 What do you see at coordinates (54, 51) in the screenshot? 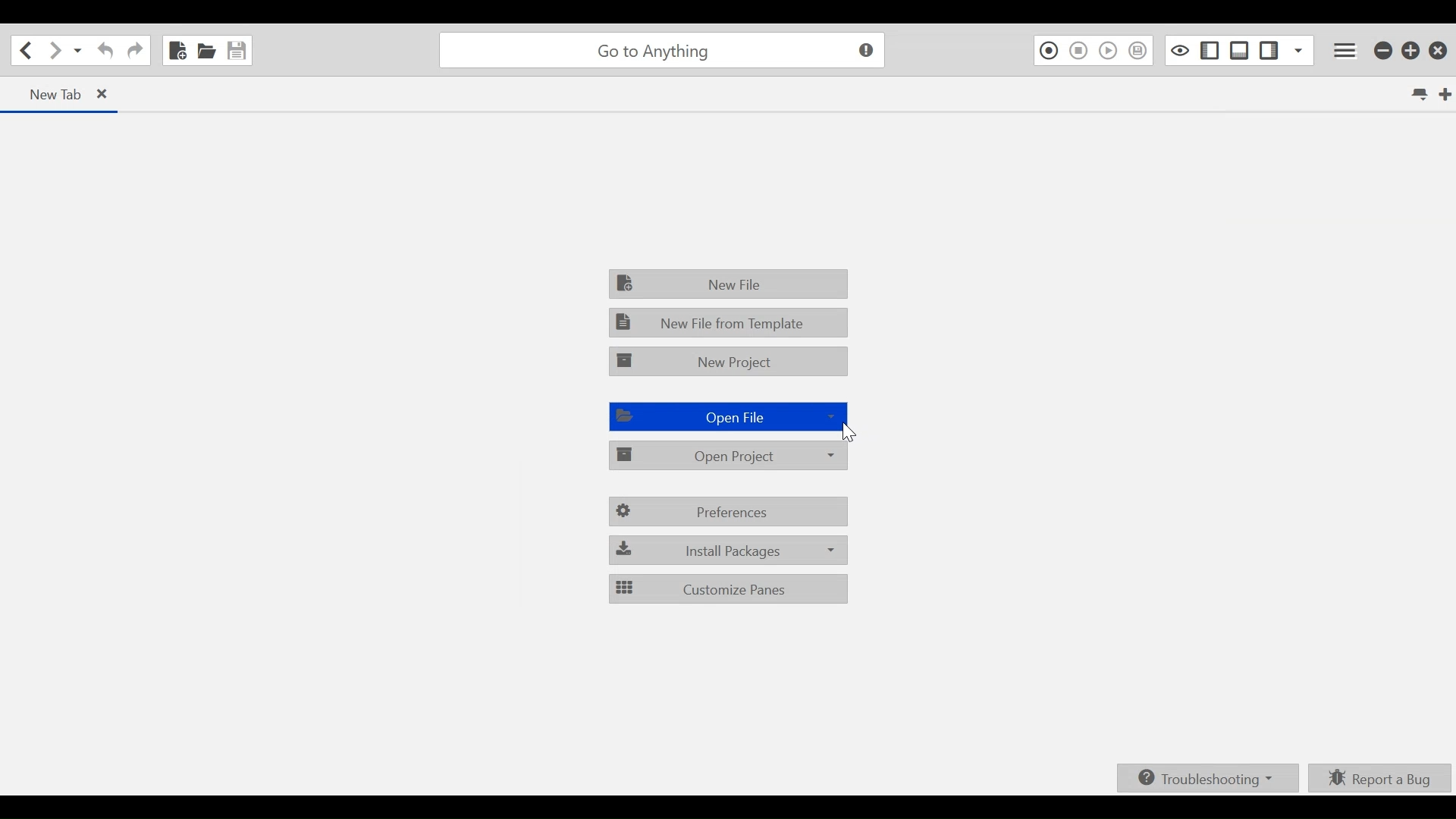
I see `Go forward one loaction` at bounding box center [54, 51].